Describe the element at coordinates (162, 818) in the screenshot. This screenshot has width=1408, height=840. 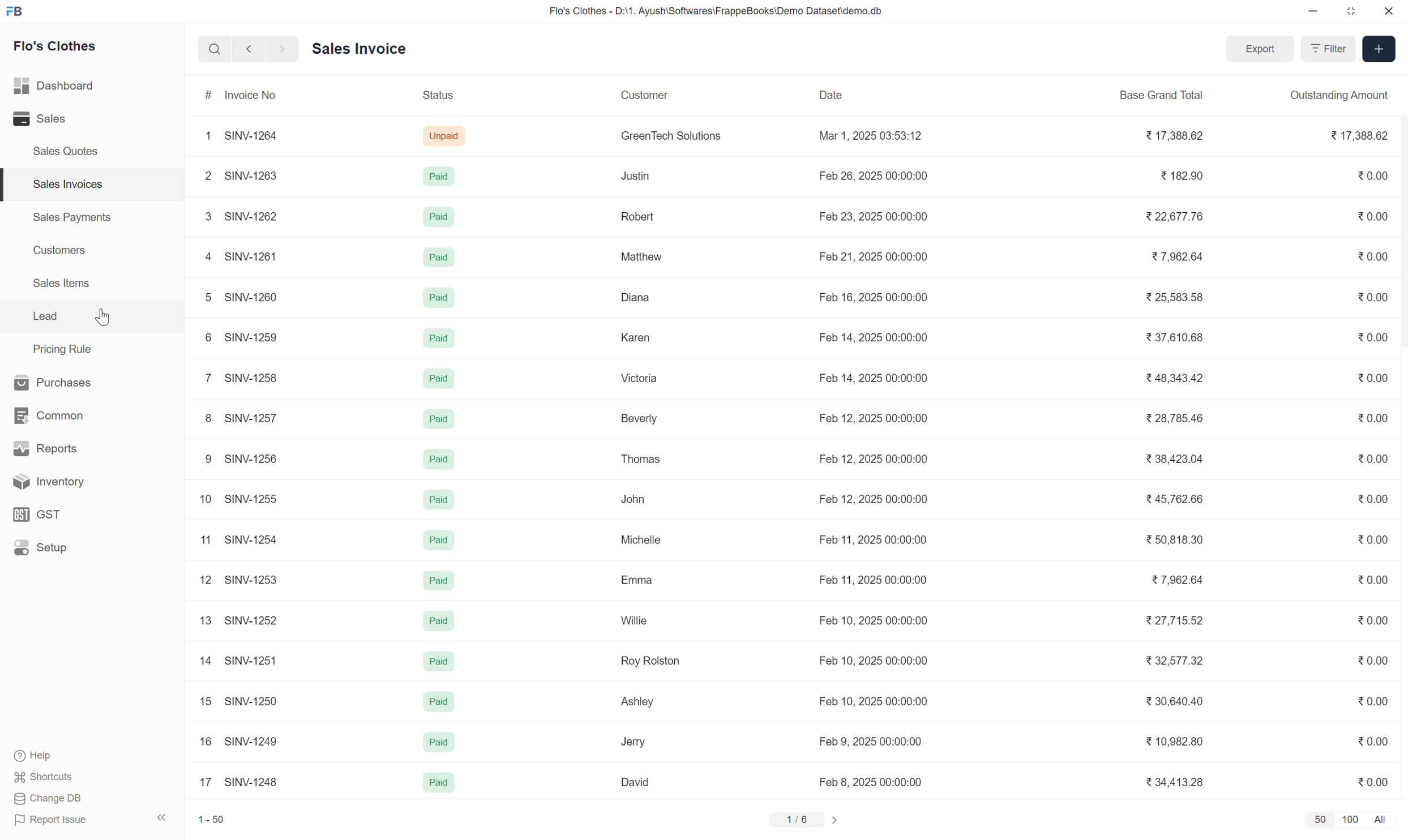
I see `Hide sidebar` at that location.